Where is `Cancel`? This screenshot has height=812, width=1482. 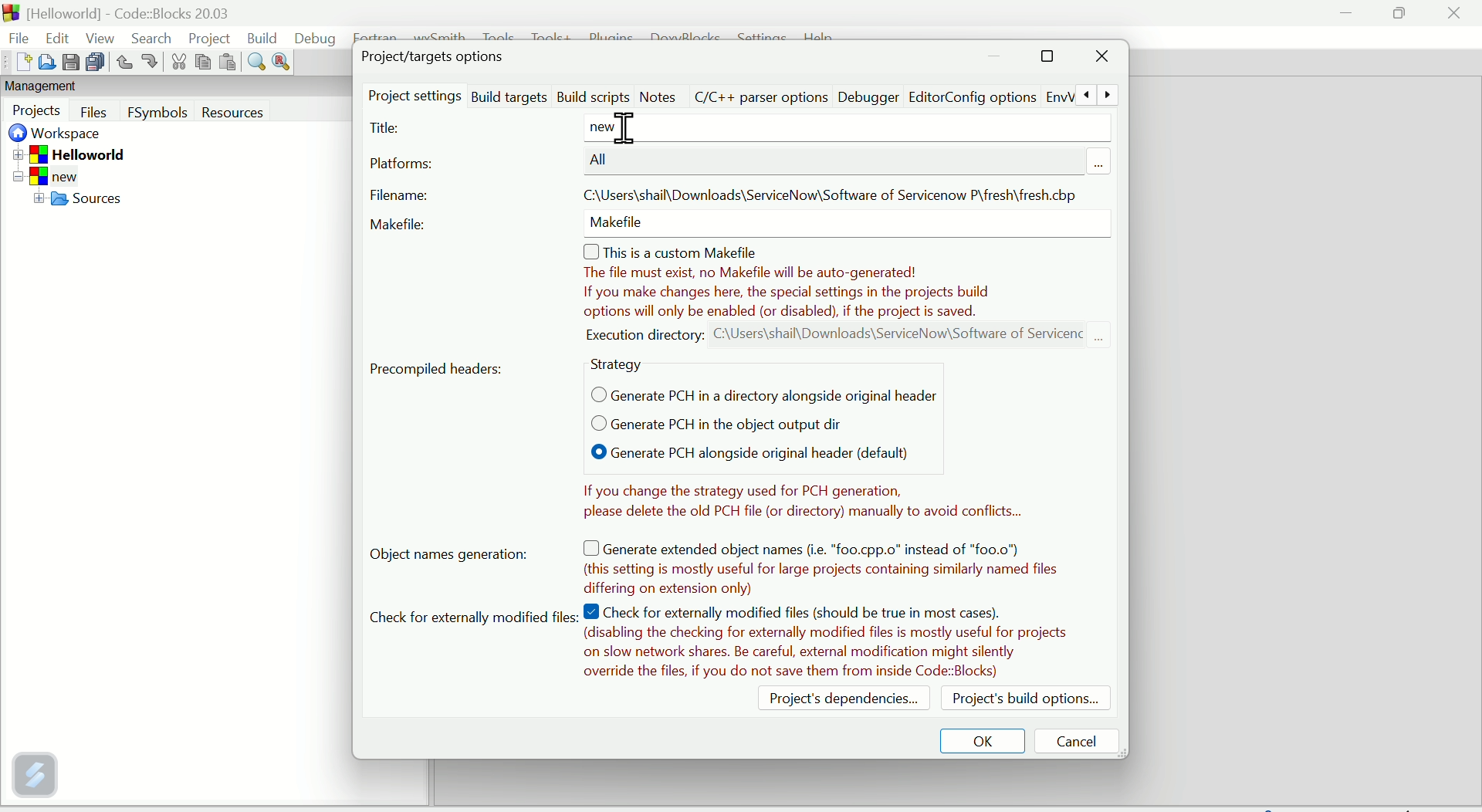
Cancel is located at coordinates (1078, 739).